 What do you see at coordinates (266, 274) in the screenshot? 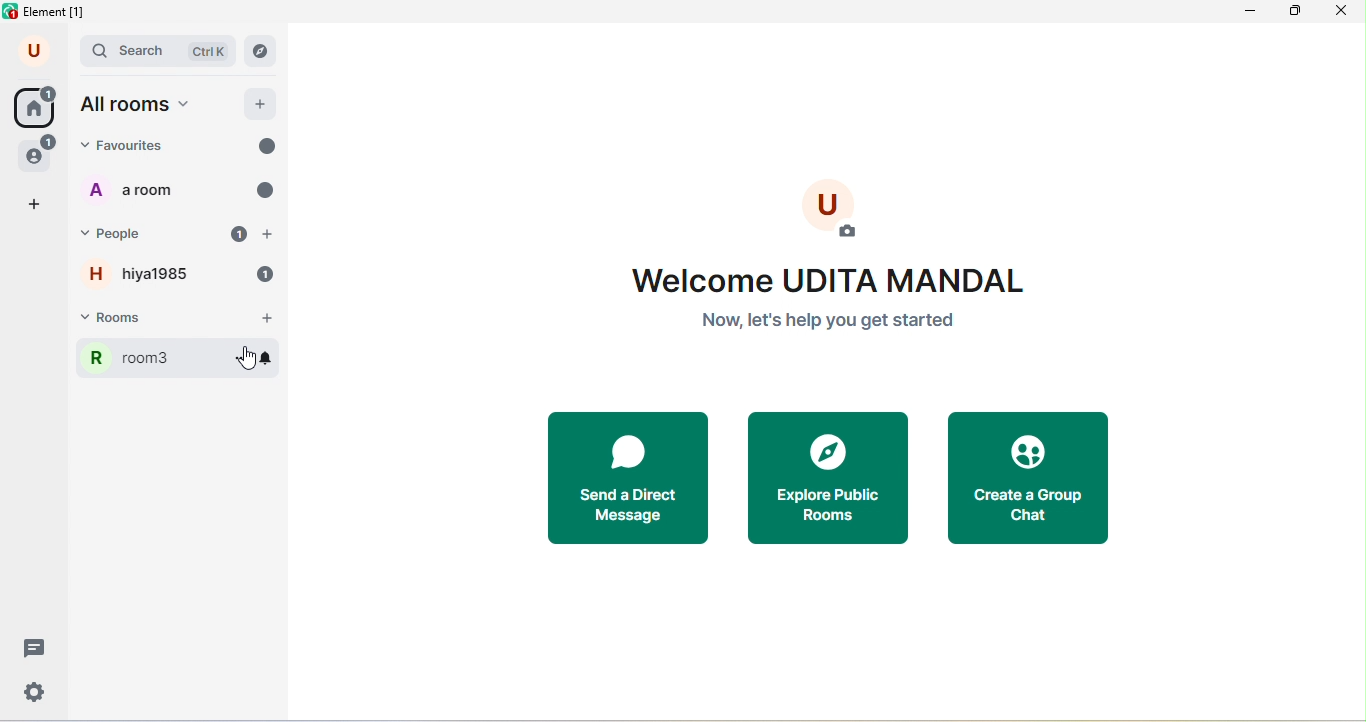
I see `notifications` at bounding box center [266, 274].